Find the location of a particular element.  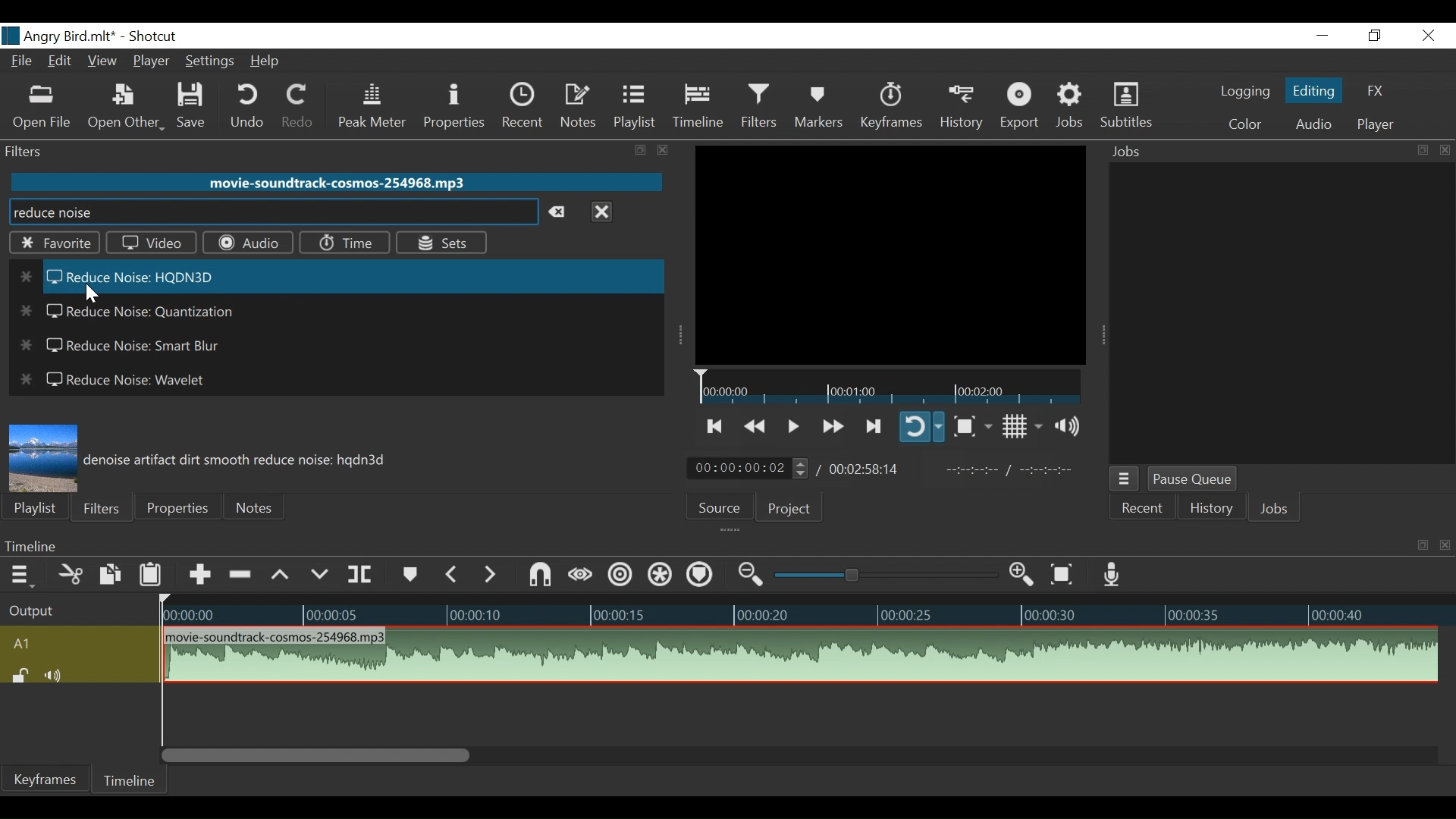

A1 is located at coordinates (77, 642).